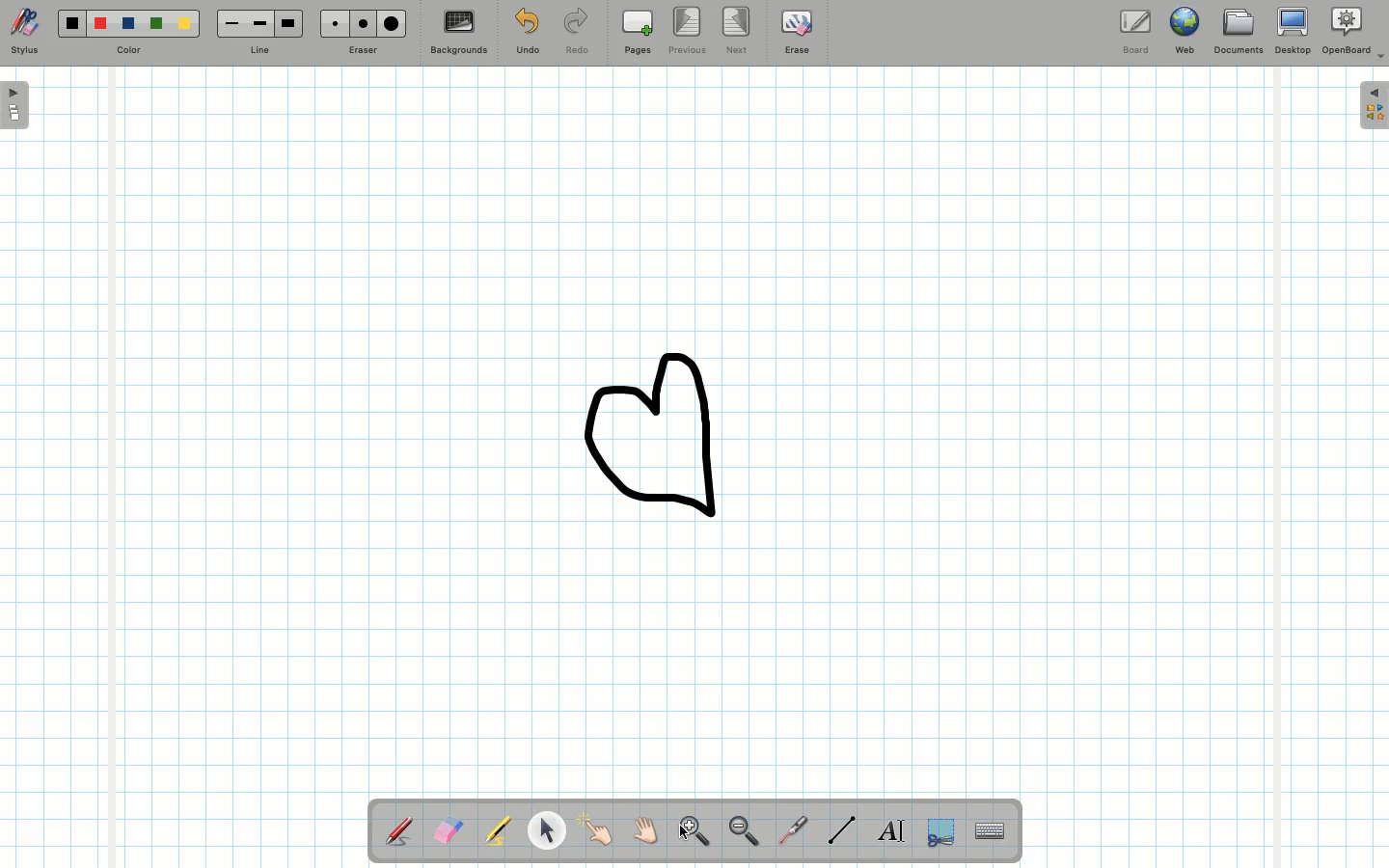 This screenshot has height=868, width=1389. Describe the element at coordinates (1292, 31) in the screenshot. I see `Desktop` at that location.